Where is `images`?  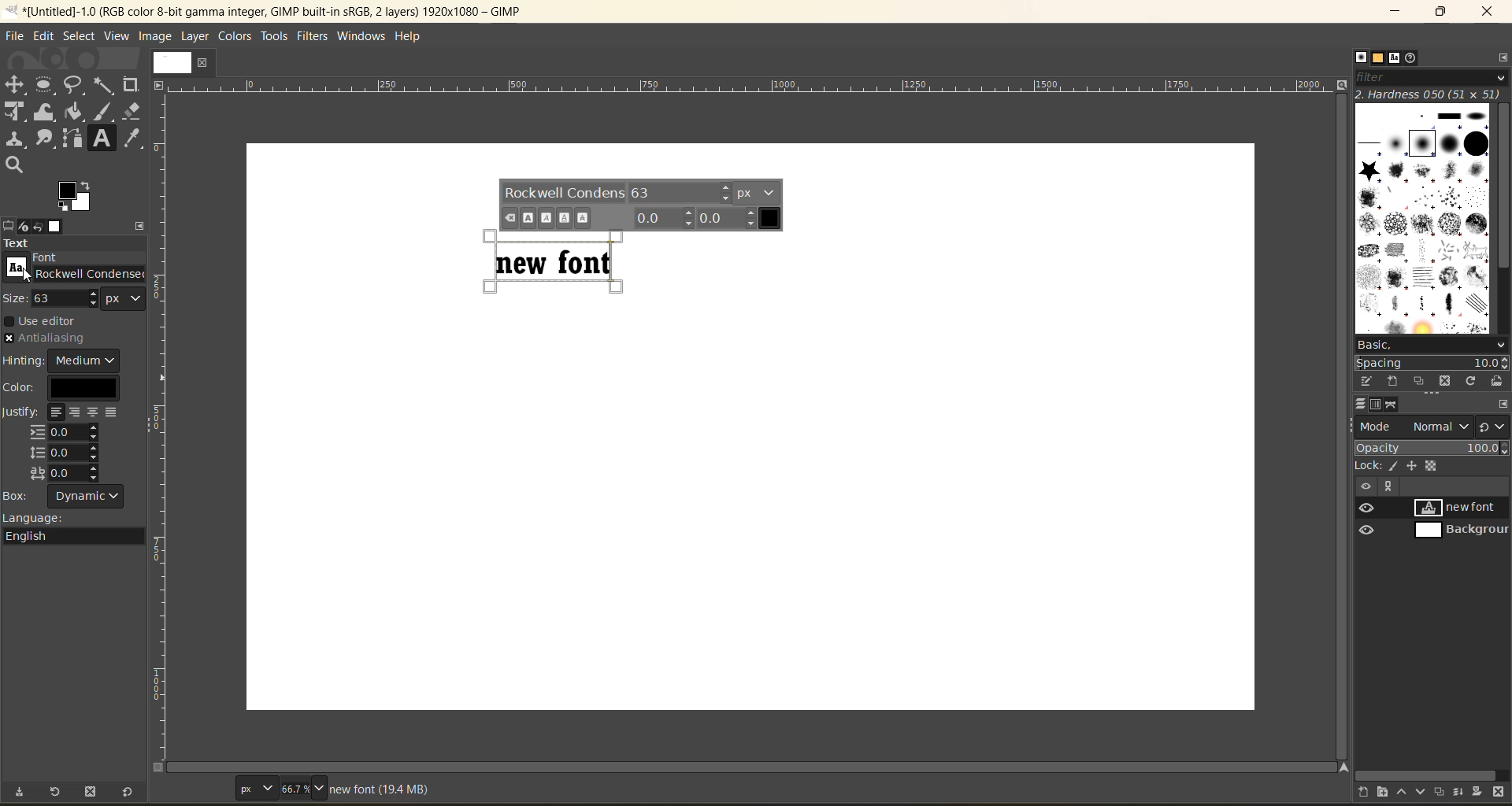 images is located at coordinates (59, 227).